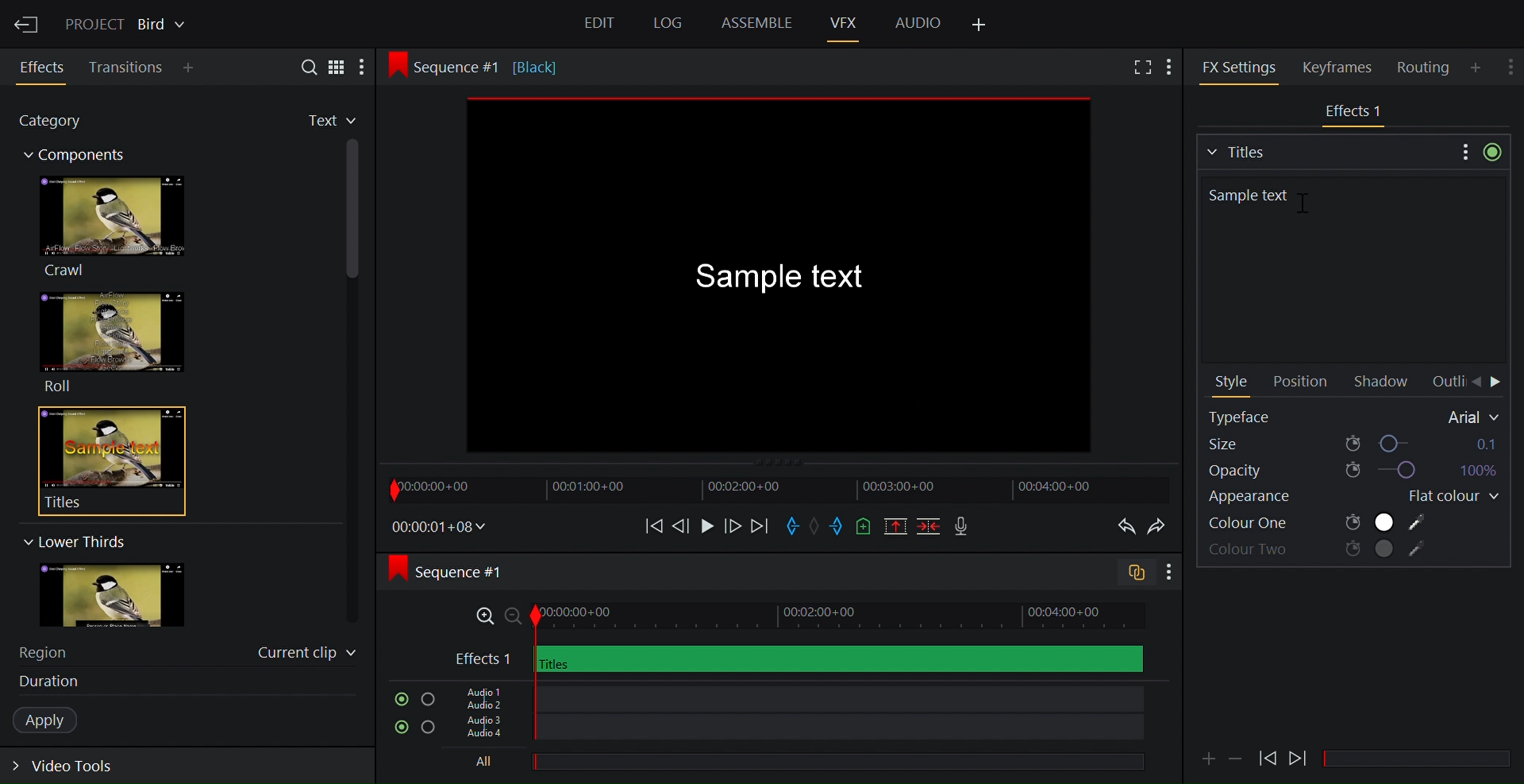  What do you see at coordinates (429, 729) in the screenshot?
I see `Solo this track` at bounding box center [429, 729].